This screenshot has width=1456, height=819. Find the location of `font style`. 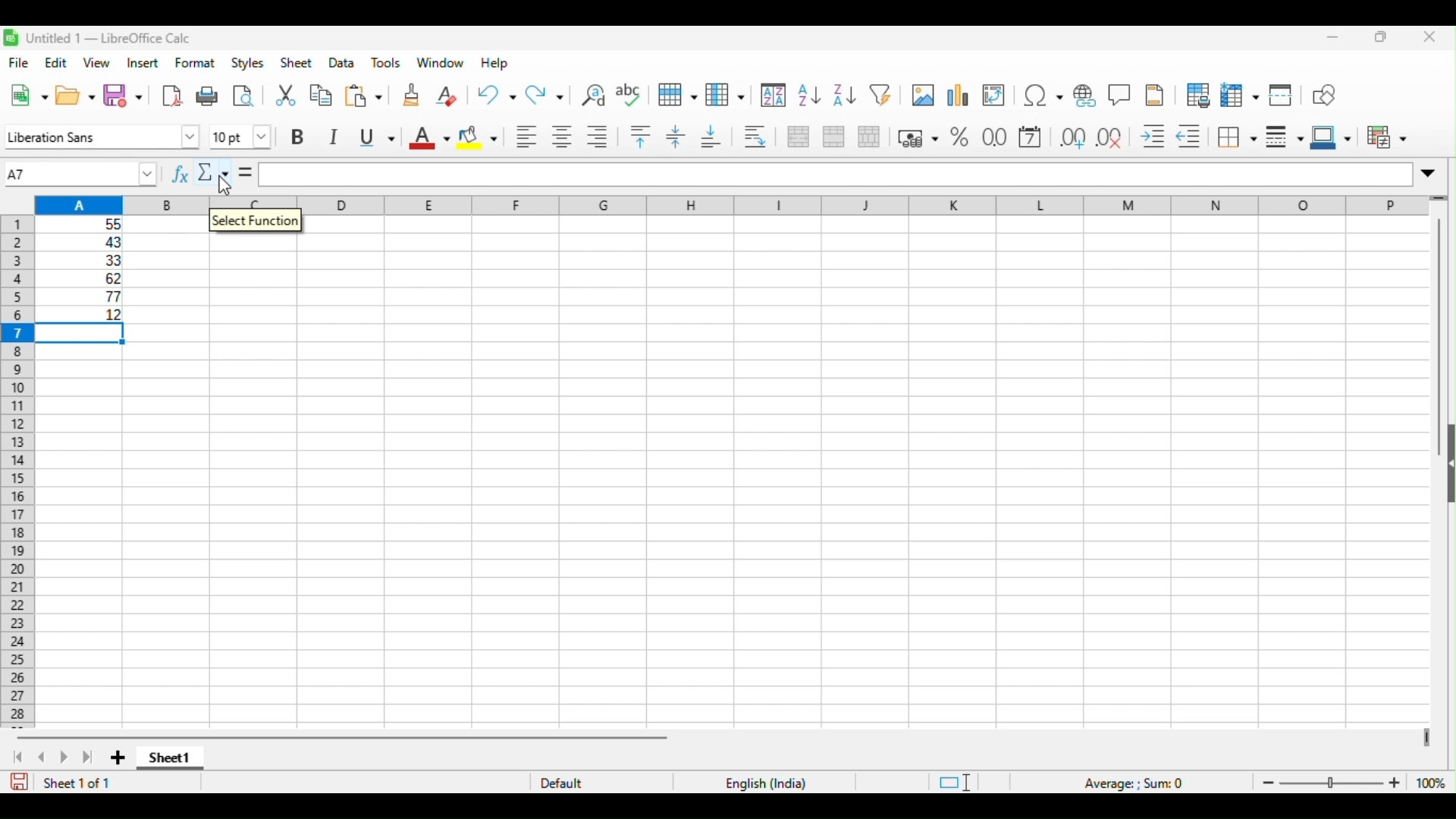

font style is located at coordinates (102, 136).